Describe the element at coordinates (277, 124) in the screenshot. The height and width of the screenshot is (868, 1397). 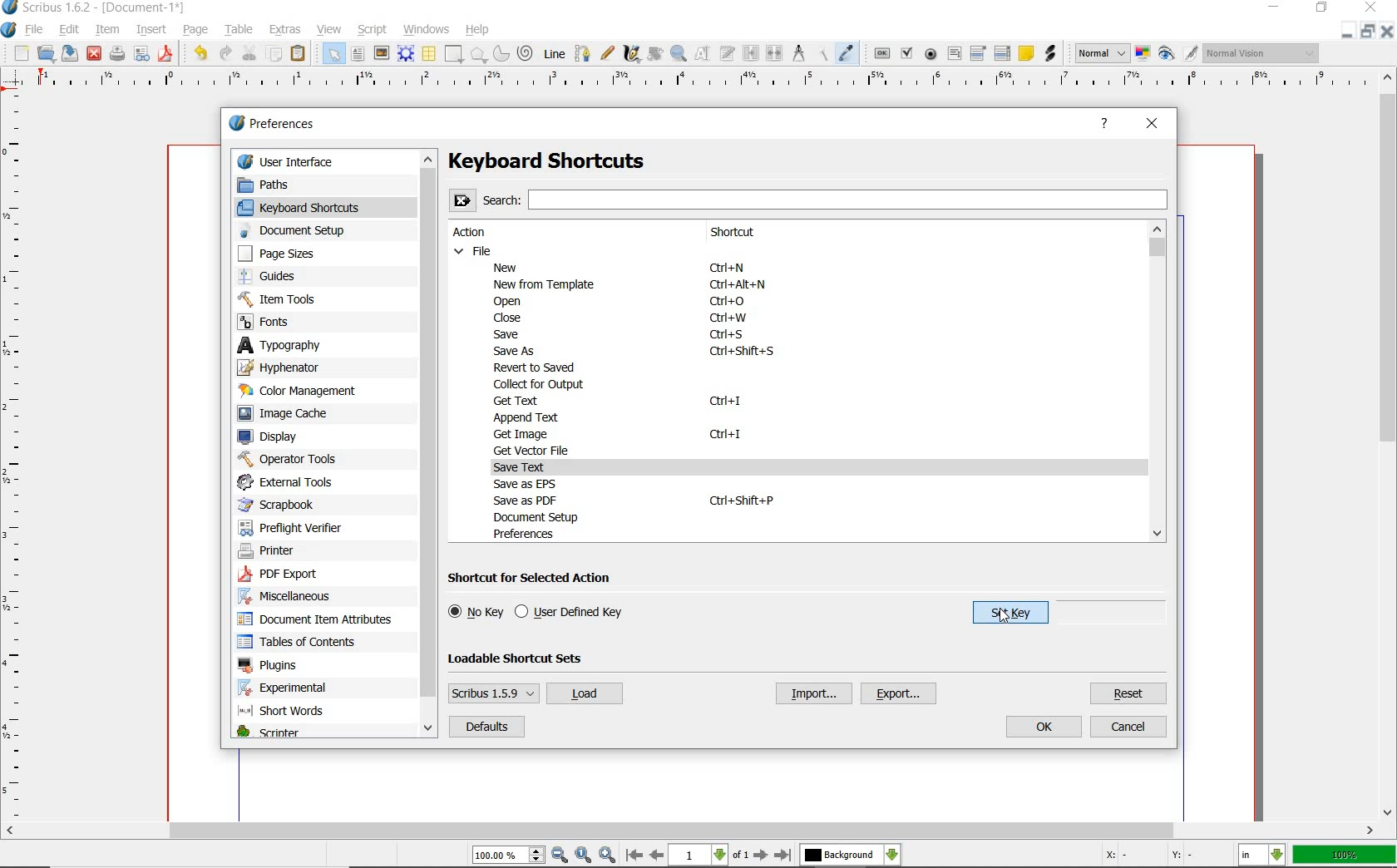
I see `preferences` at that location.